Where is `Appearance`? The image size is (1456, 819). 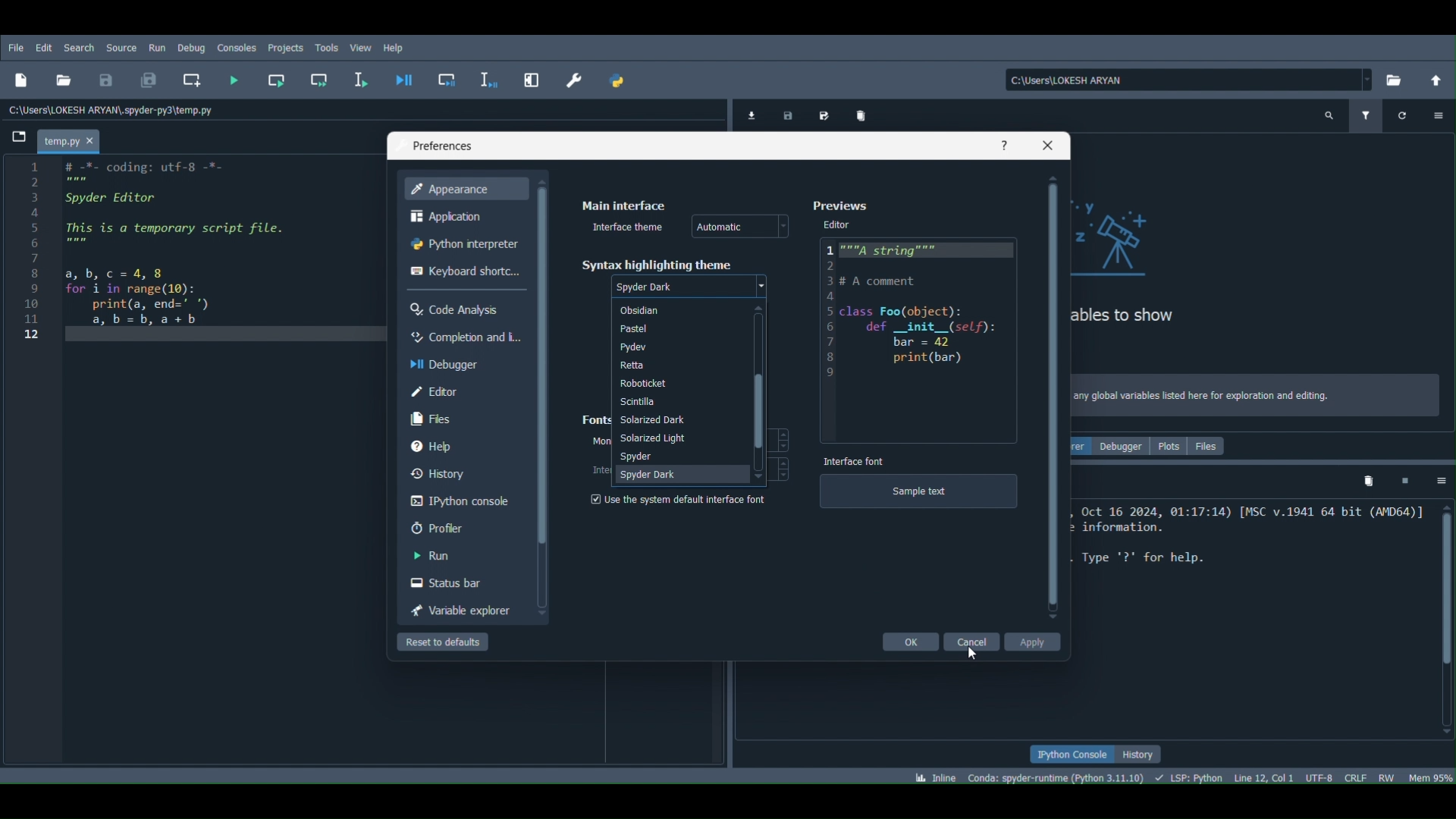 Appearance is located at coordinates (468, 188).